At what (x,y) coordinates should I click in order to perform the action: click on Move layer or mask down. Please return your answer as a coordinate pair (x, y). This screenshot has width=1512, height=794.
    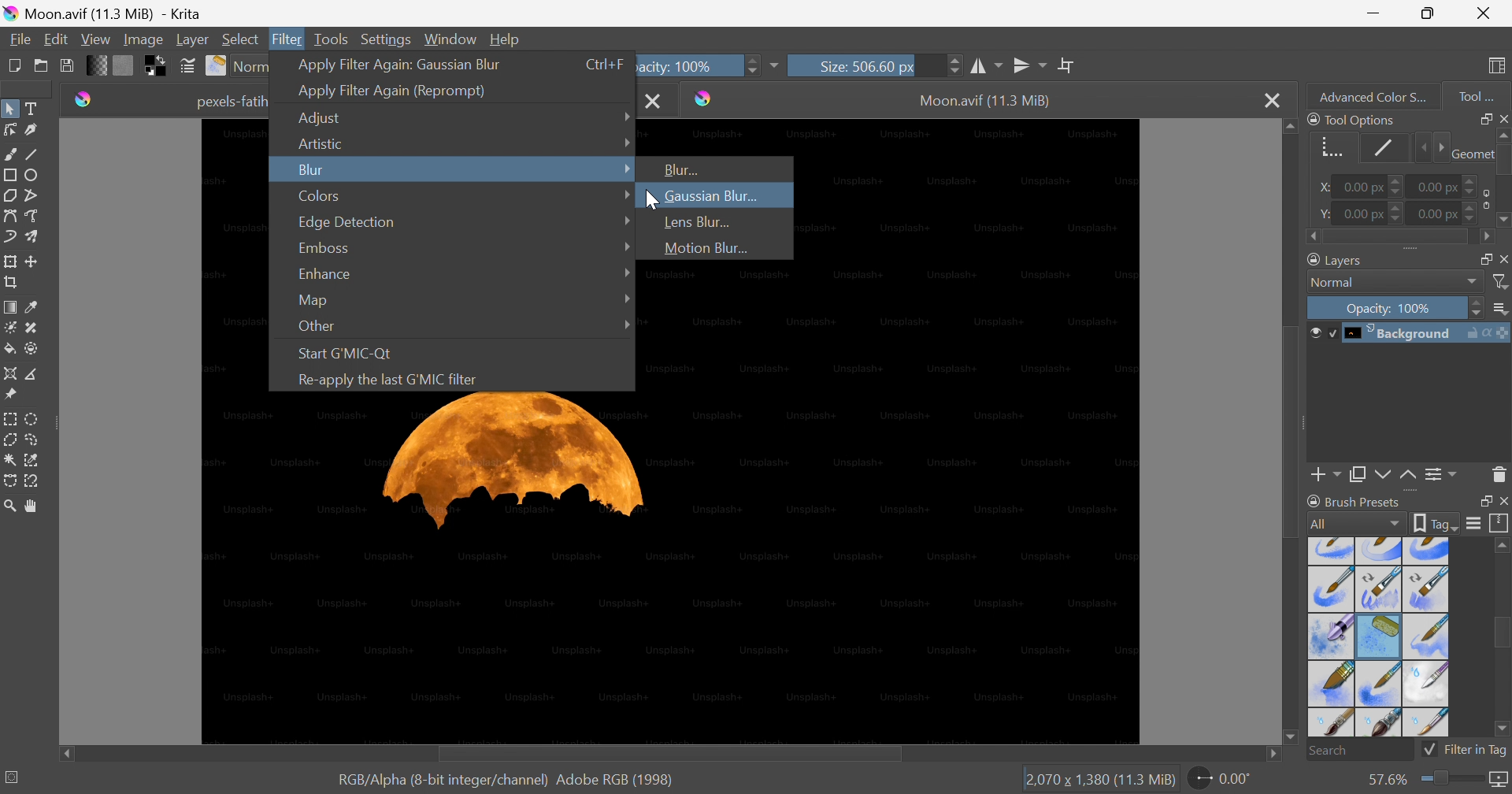
    Looking at the image, I should click on (1382, 476).